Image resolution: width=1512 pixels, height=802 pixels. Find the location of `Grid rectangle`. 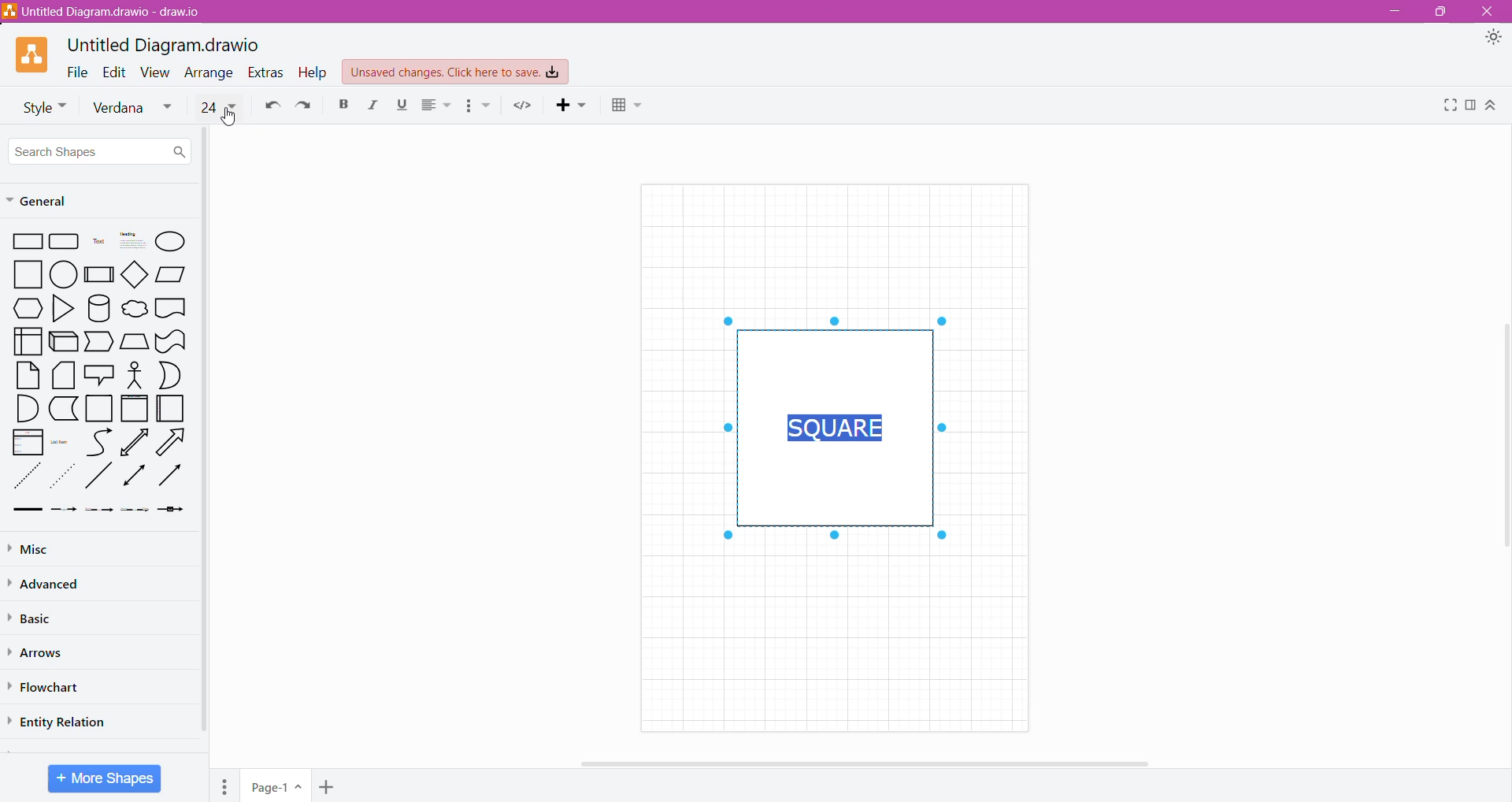

Grid rectangle is located at coordinates (65, 241).